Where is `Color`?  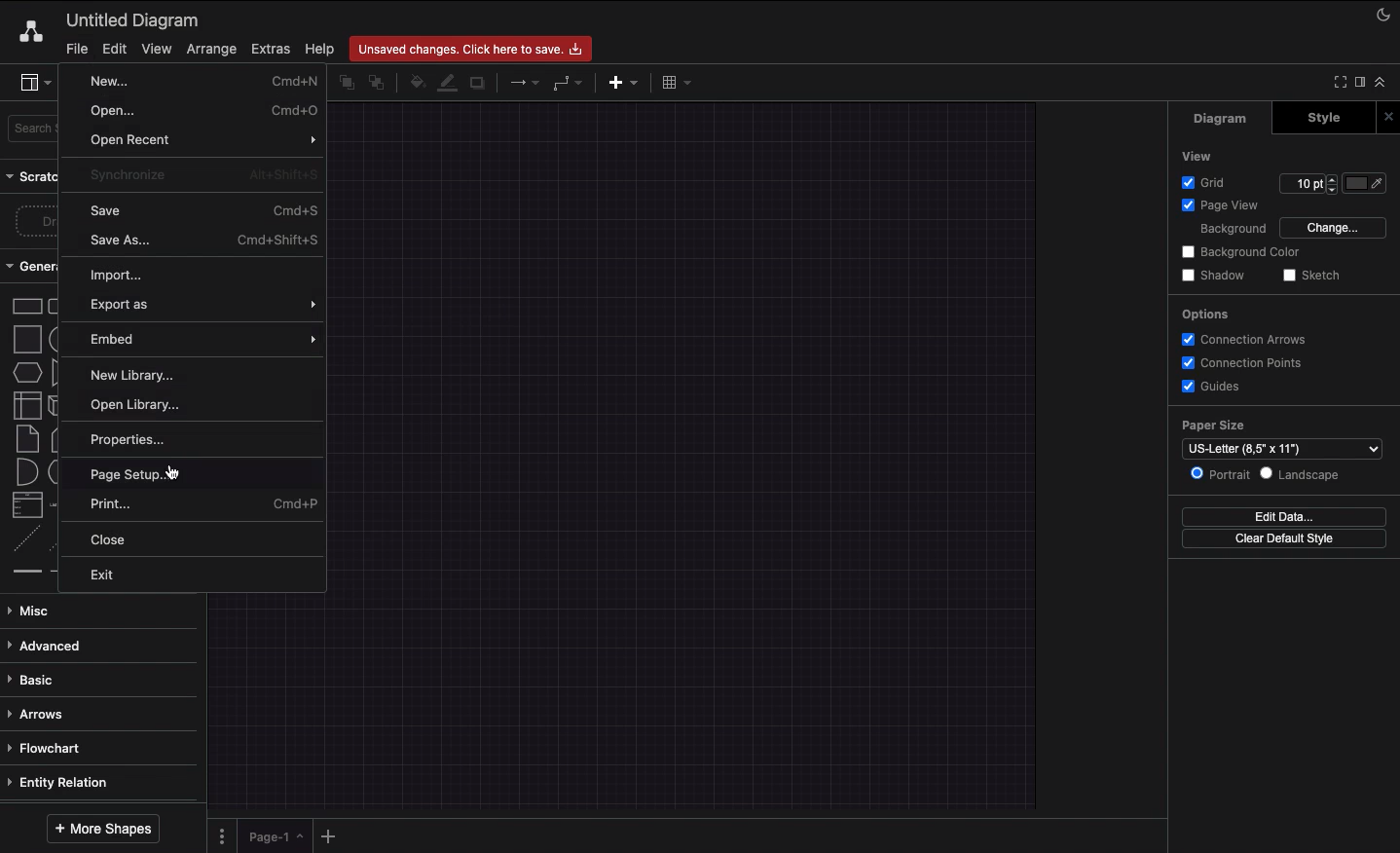
Color is located at coordinates (1367, 183).